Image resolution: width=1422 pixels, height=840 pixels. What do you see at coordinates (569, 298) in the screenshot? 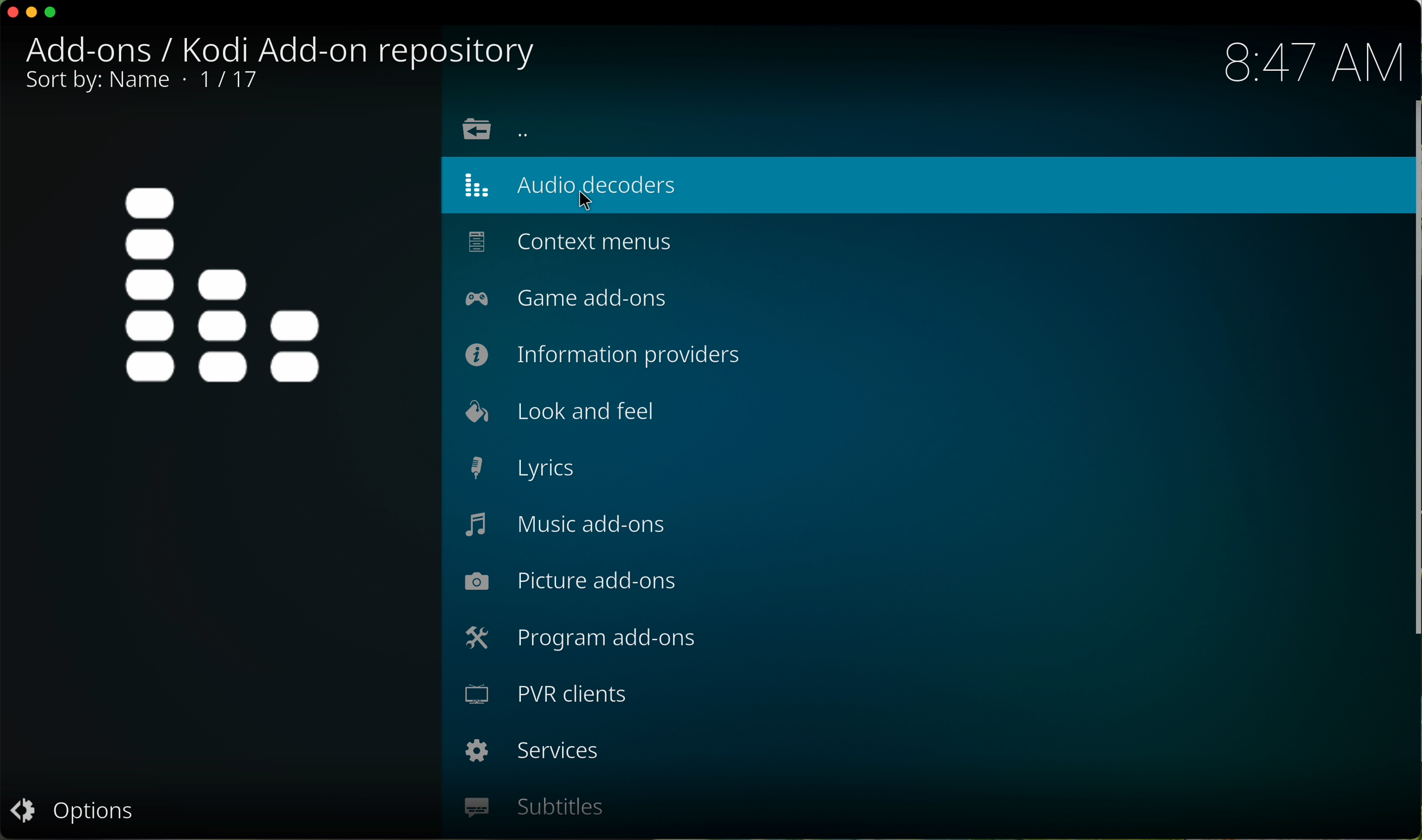
I see `game add-ons` at bounding box center [569, 298].